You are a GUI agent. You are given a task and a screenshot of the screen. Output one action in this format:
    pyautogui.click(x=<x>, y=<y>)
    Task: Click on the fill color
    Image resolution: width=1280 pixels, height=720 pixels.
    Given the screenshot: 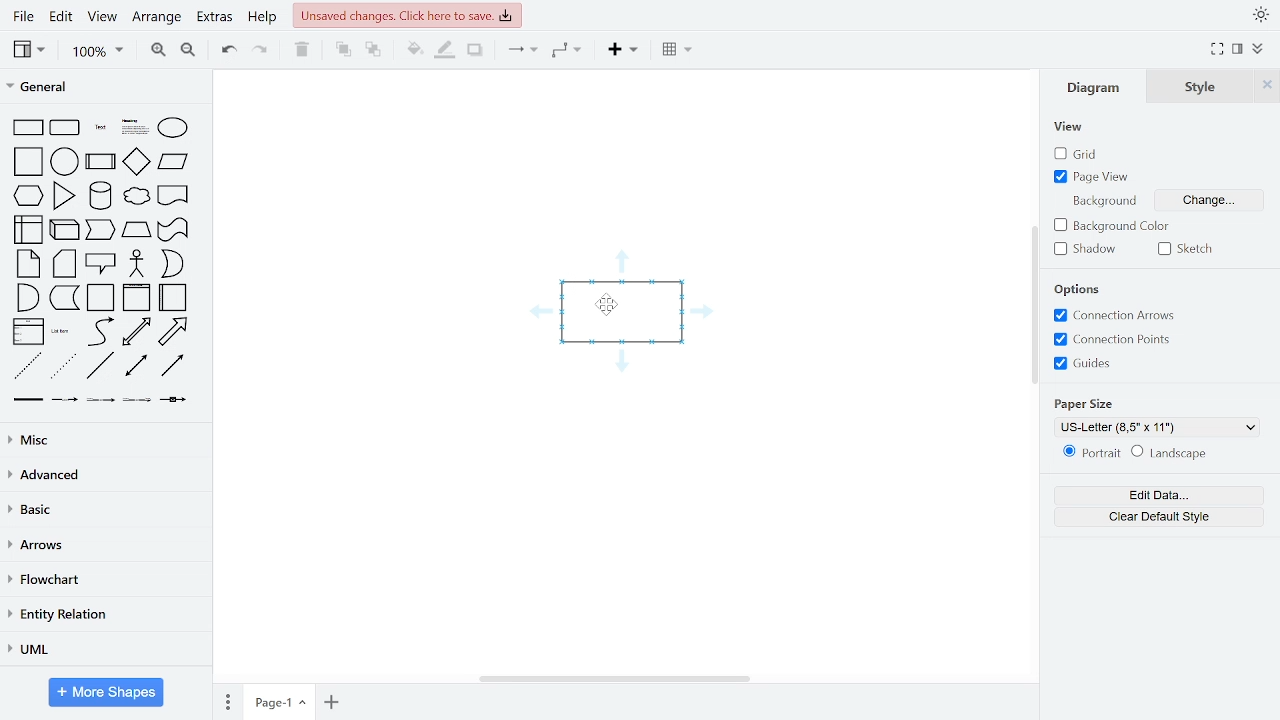 What is the action you would take?
    pyautogui.click(x=413, y=49)
    